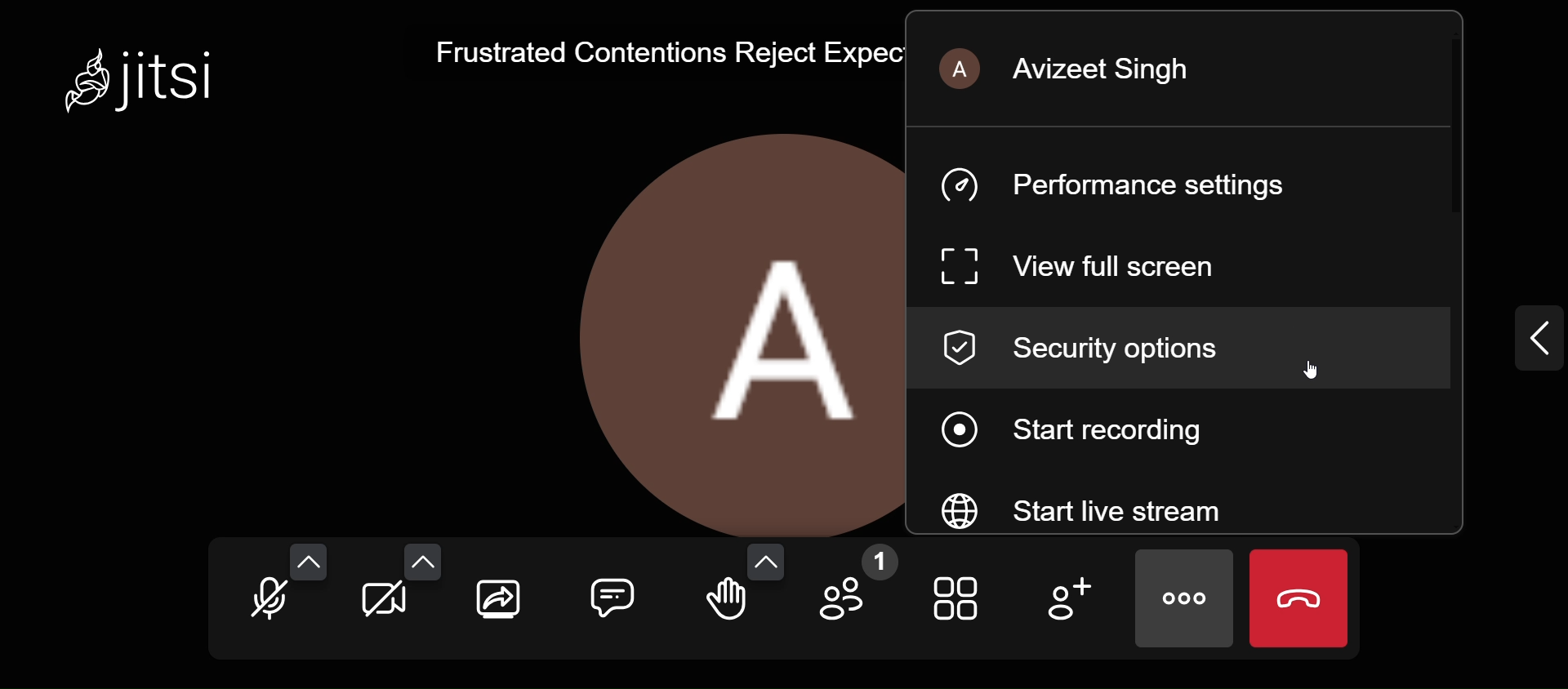 The width and height of the screenshot is (1568, 689). I want to click on security options, so click(1098, 350).